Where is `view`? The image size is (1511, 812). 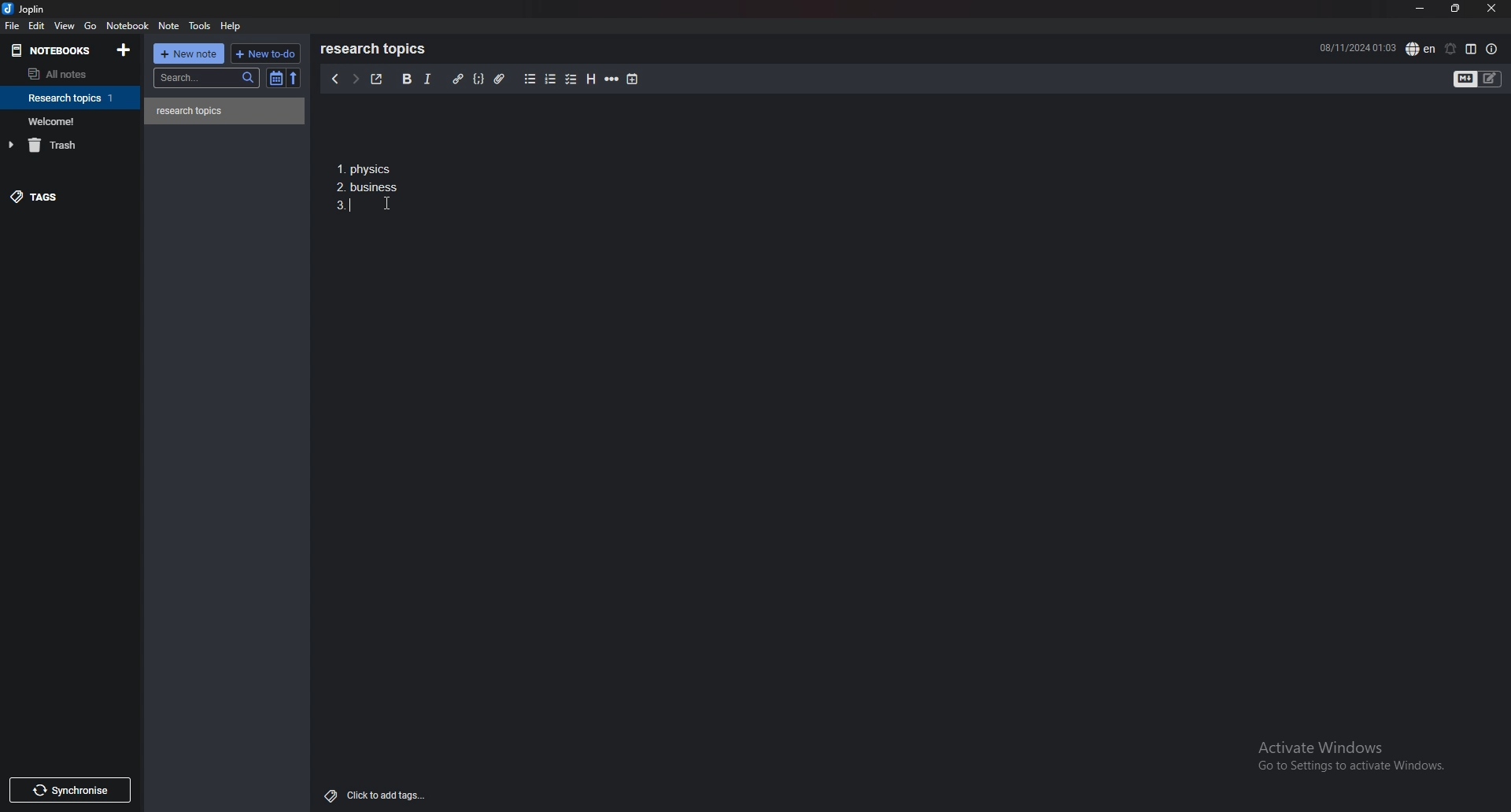 view is located at coordinates (65, 26).